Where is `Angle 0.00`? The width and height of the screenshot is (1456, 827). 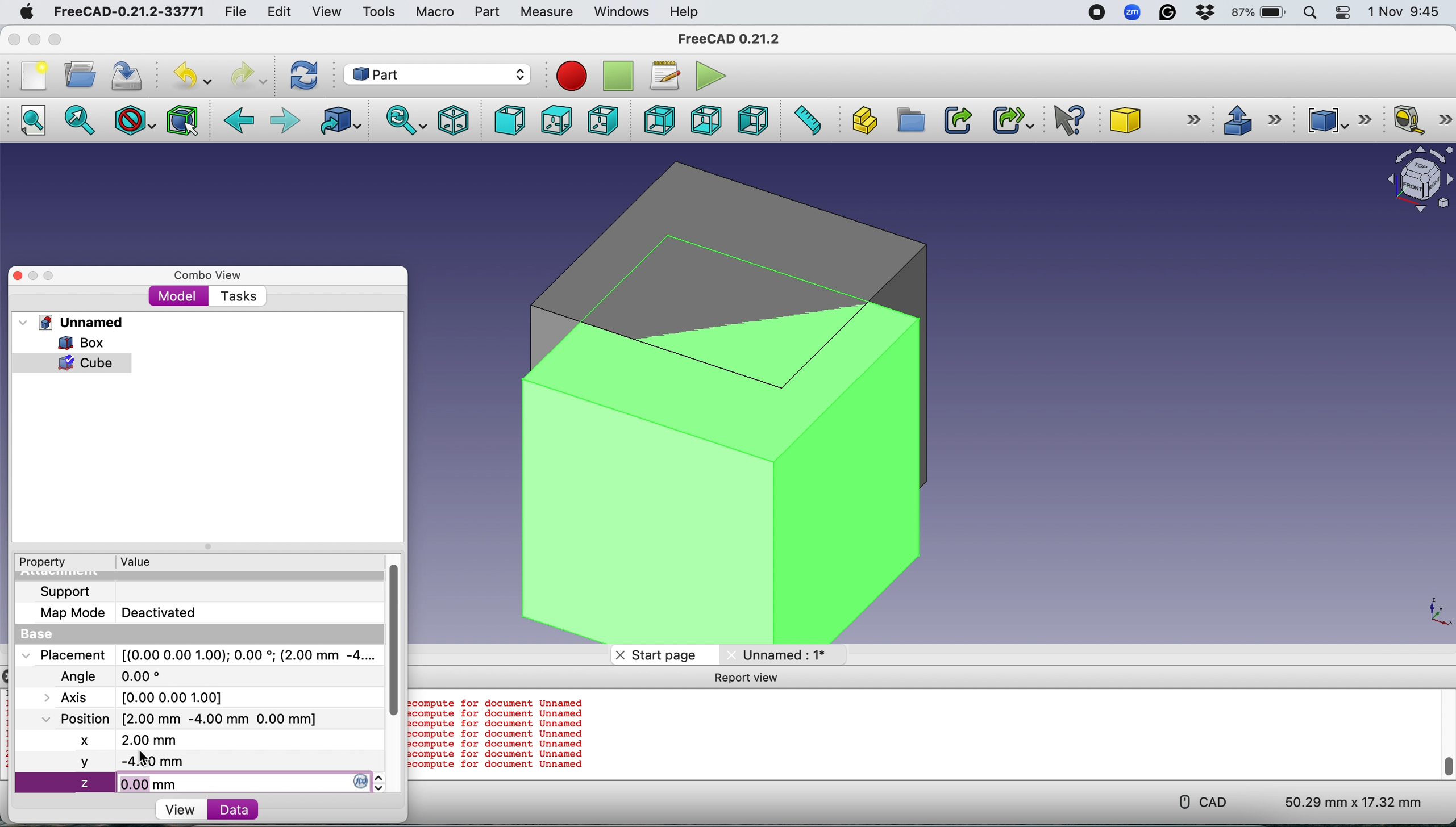 Angle 0.00 is located at coordinates (119, 677).